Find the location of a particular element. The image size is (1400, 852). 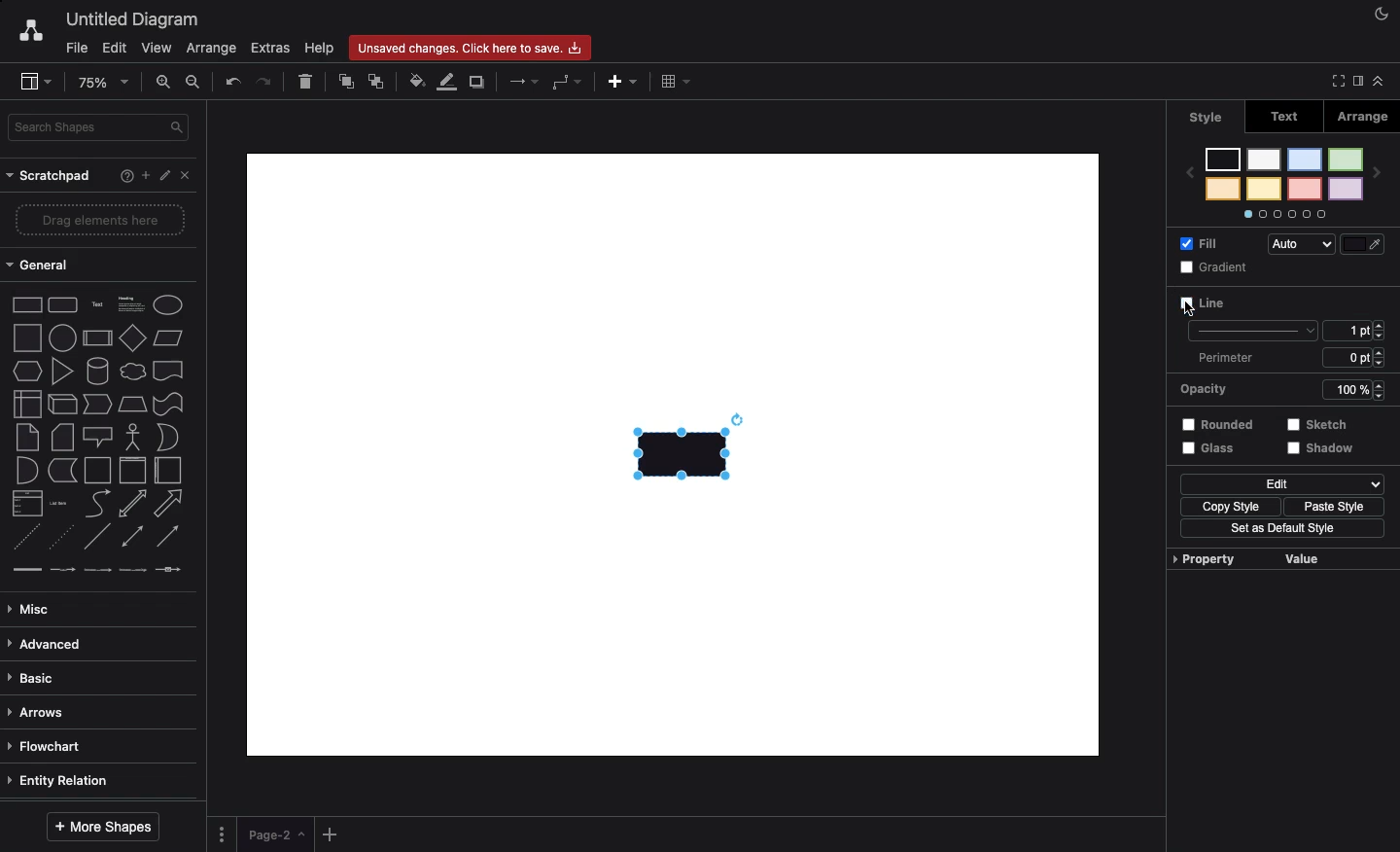

connector with label is located at coordinates (63, 569).